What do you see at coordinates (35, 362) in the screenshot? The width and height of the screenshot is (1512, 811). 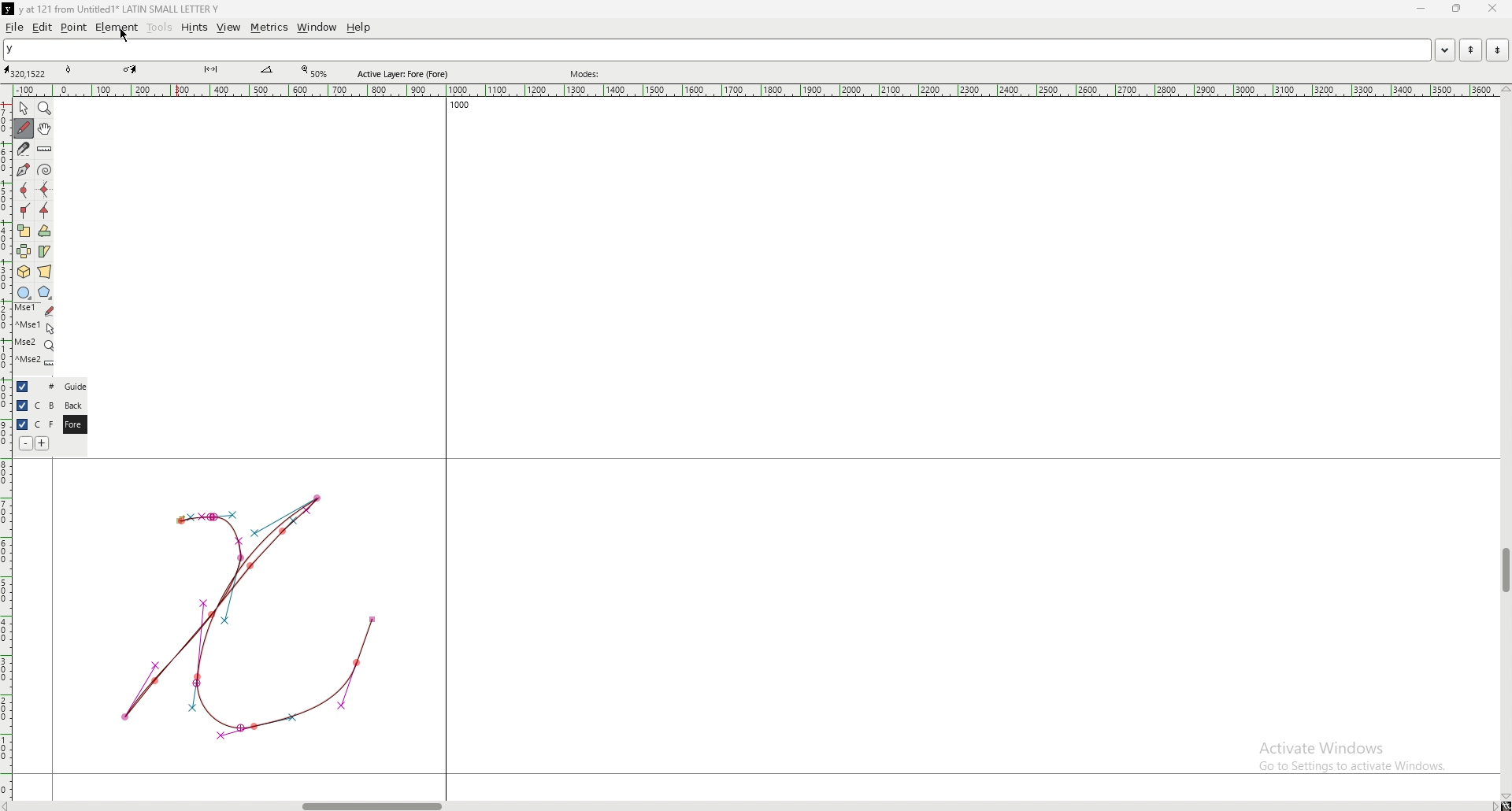 I see `mse 2` at bounding box center [35, 362].